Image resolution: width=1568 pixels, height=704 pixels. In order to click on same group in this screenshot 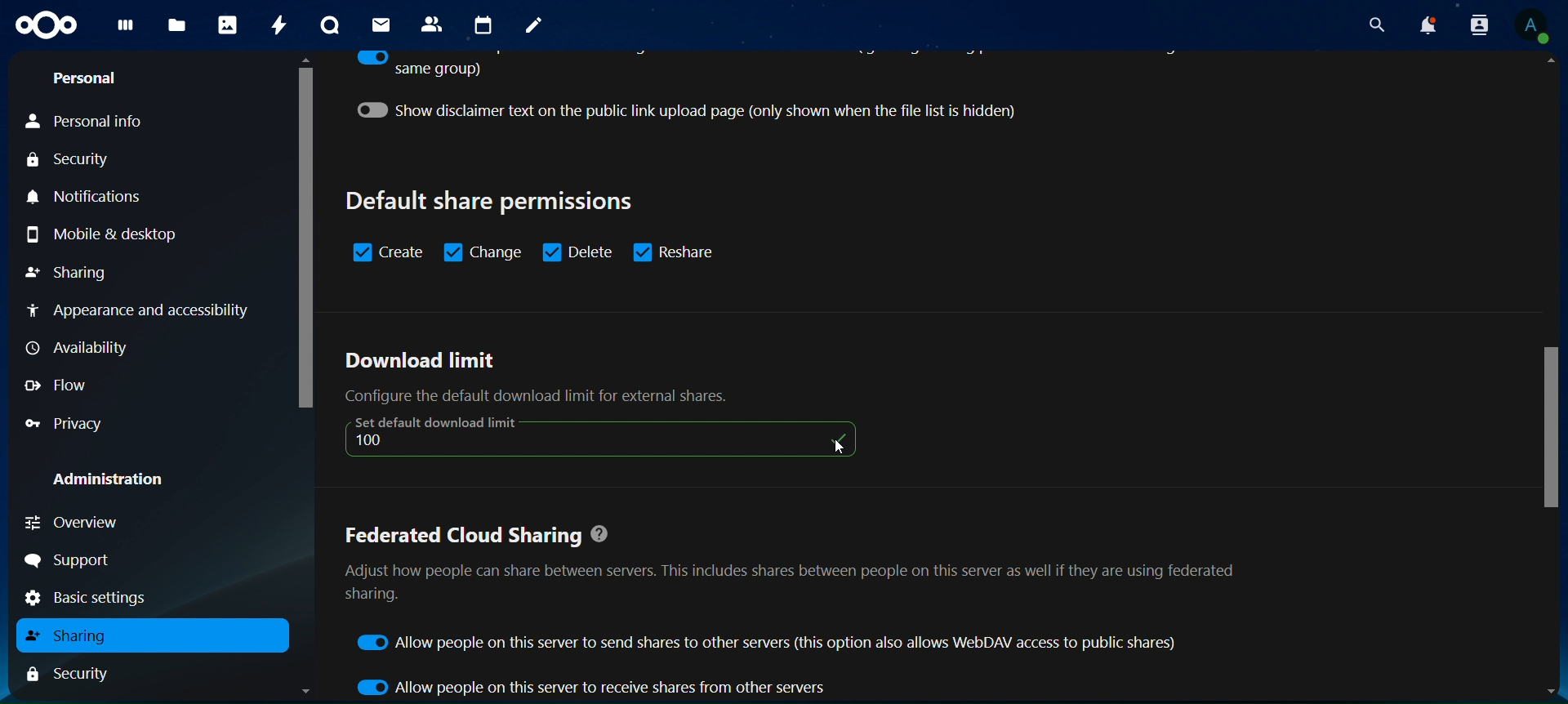, I will do `click(418, 65)`.